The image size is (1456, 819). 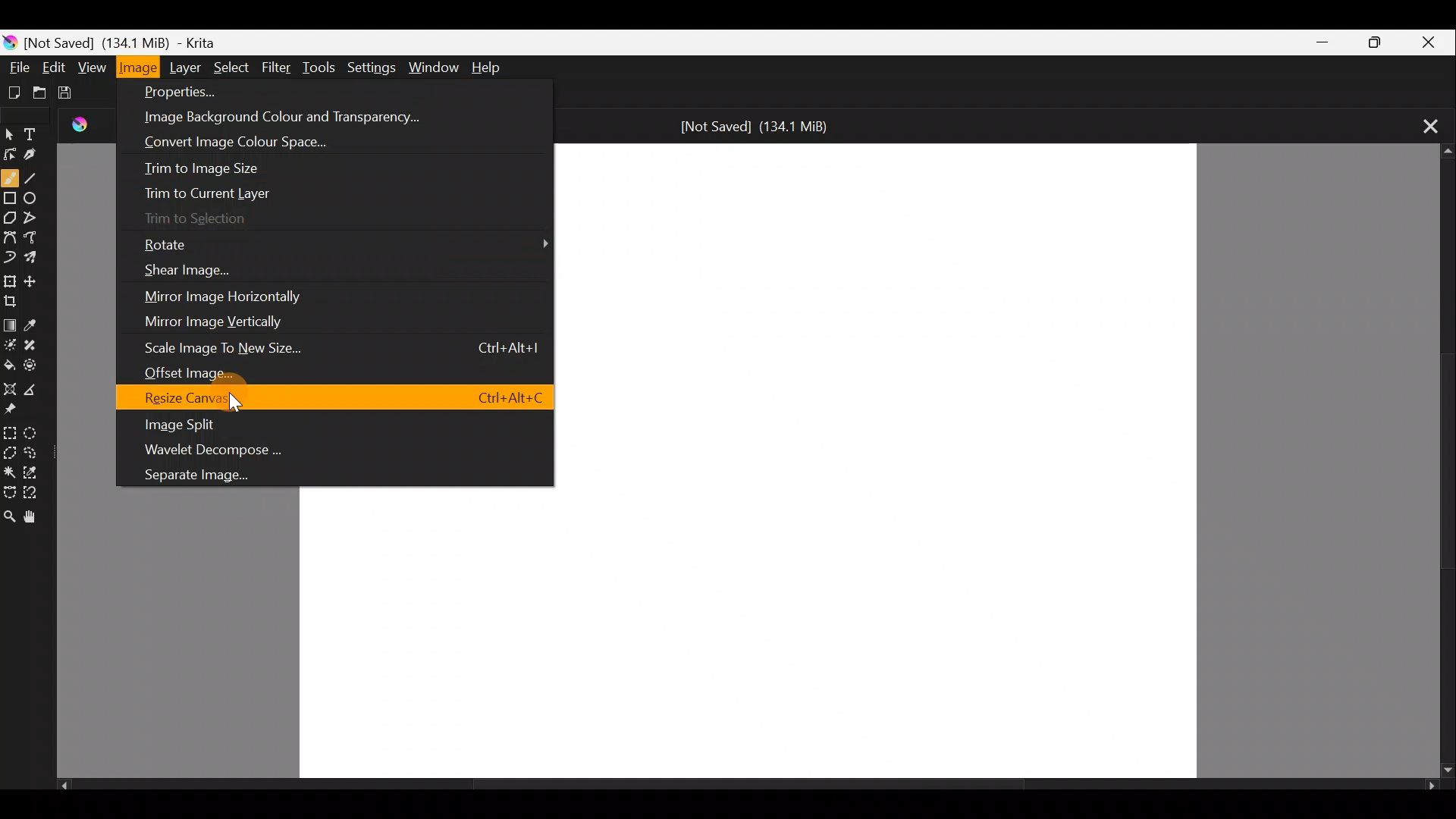 What do you see at coordinates (755, 124) in the screenshot?
I see `[Not Saved] (134.1 MiB)` at bounding box center [755, 124].